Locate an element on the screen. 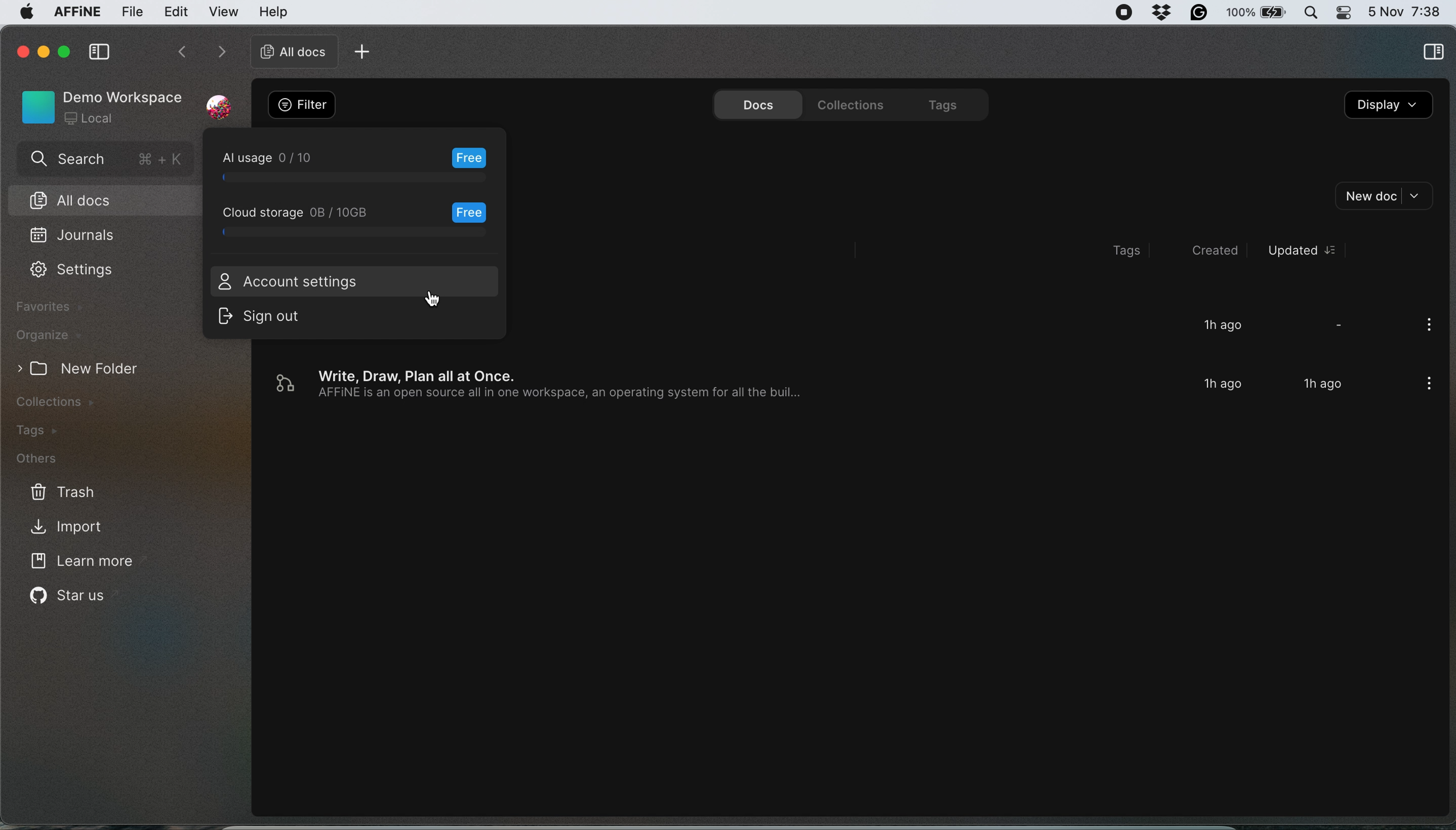  new folder is located at coordinates (91, 368).